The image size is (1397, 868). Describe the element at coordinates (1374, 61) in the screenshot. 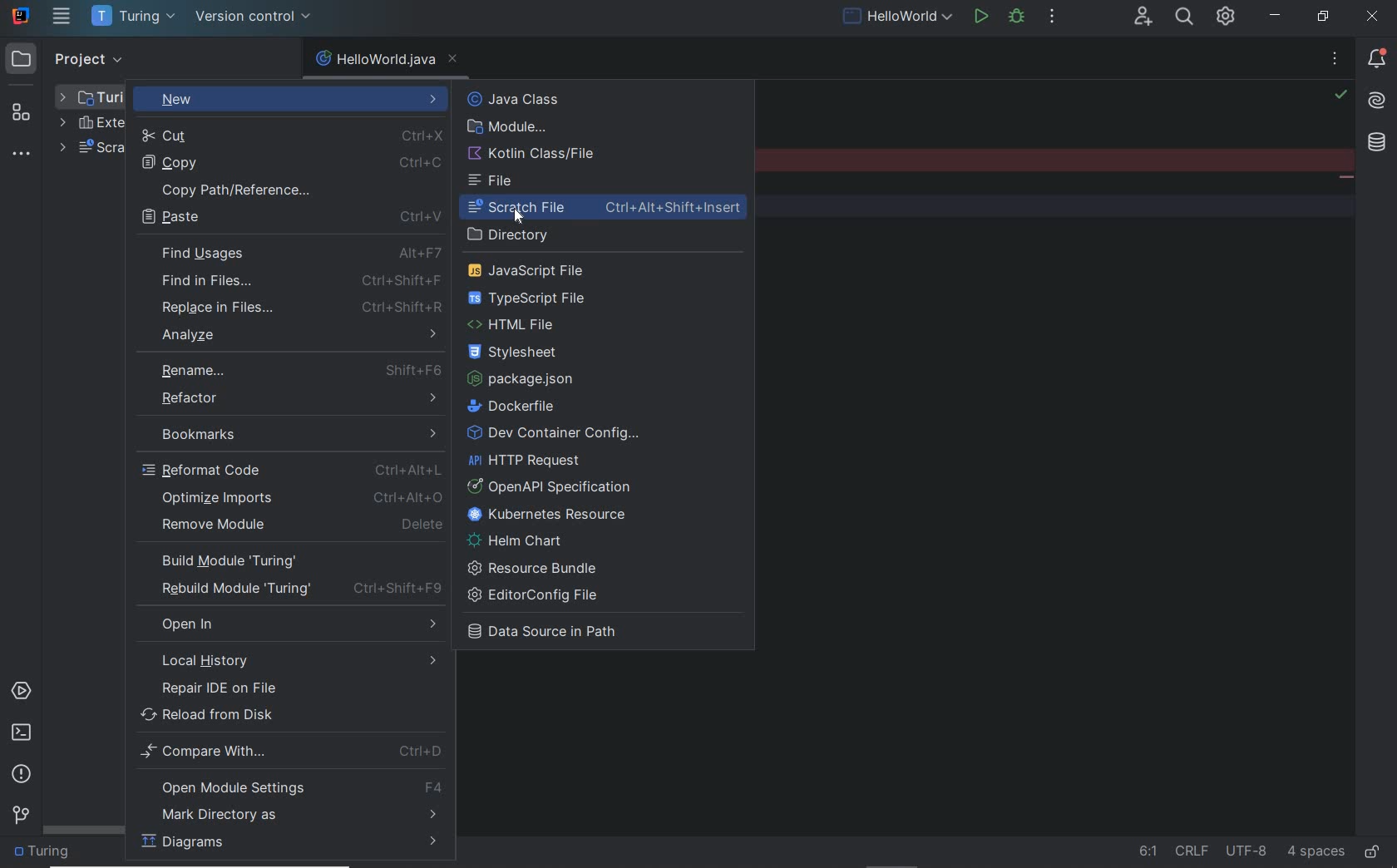

I see `notifications` at that location.